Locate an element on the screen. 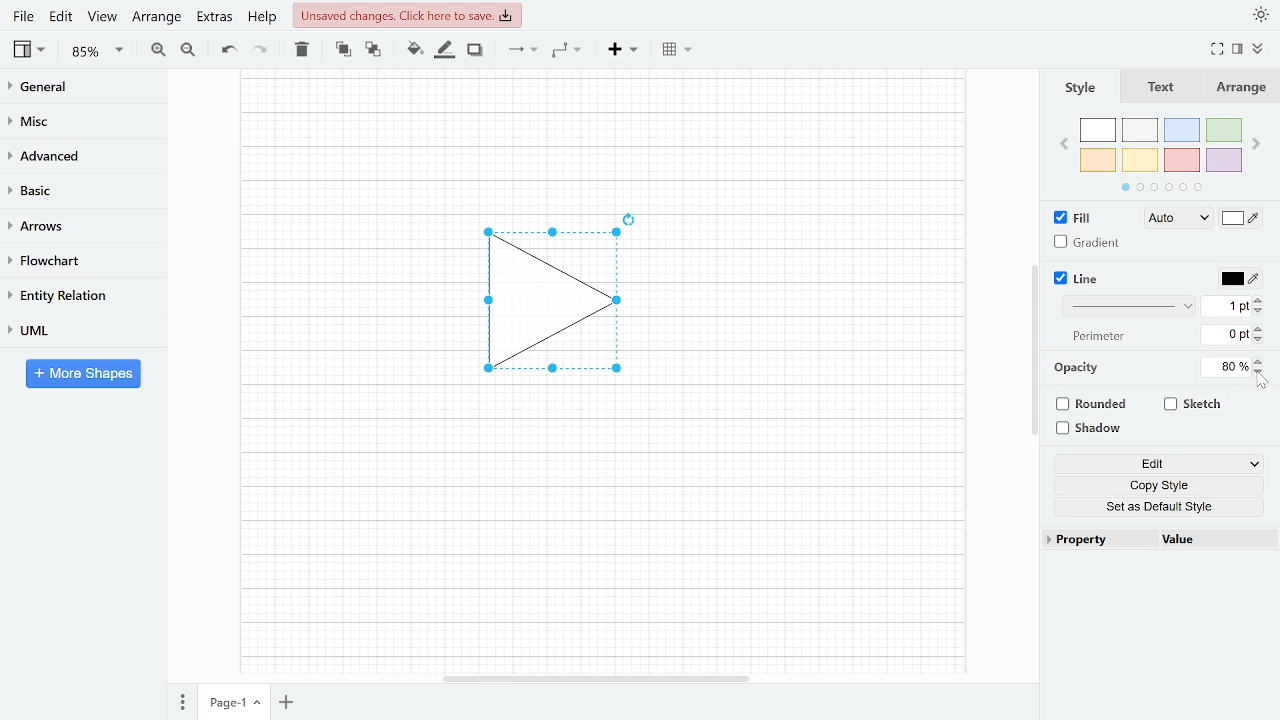 This screenshot has height=720, width=1280. Entity relation is located at coordinates (75, 295).